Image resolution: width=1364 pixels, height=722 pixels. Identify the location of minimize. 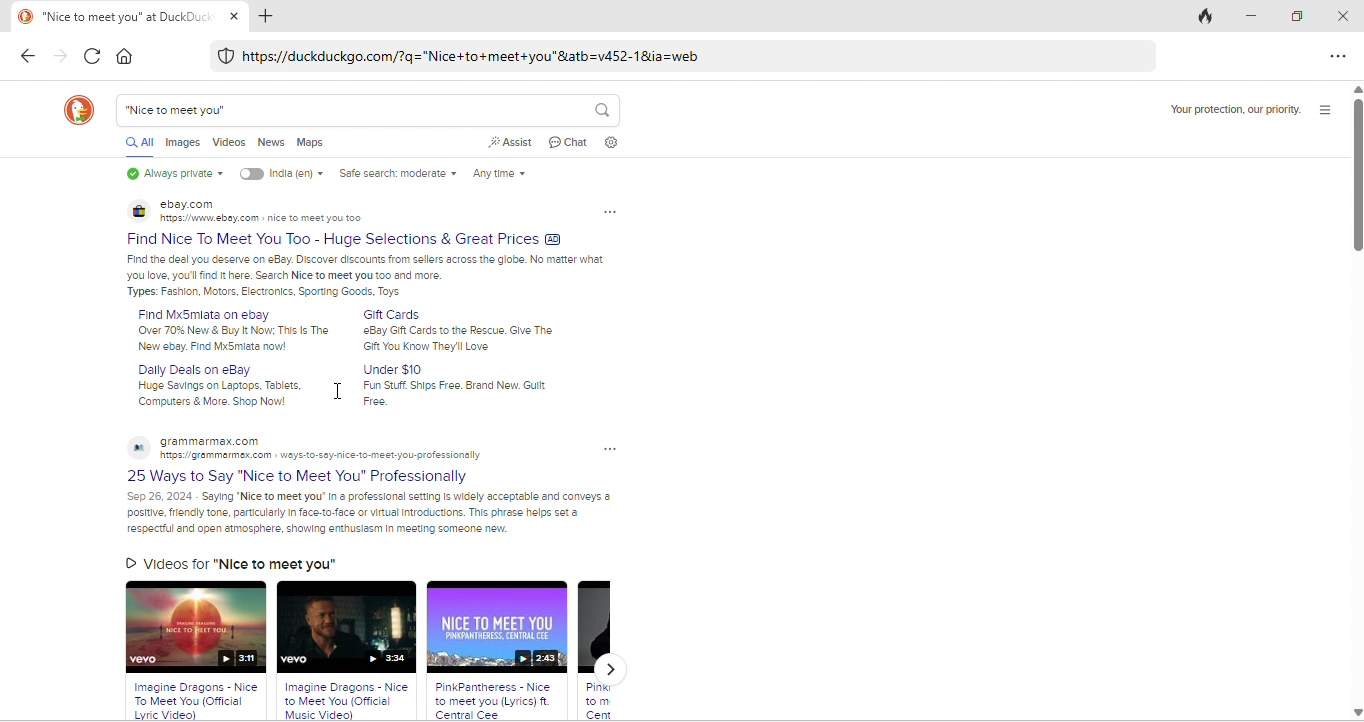
(1251, 14).